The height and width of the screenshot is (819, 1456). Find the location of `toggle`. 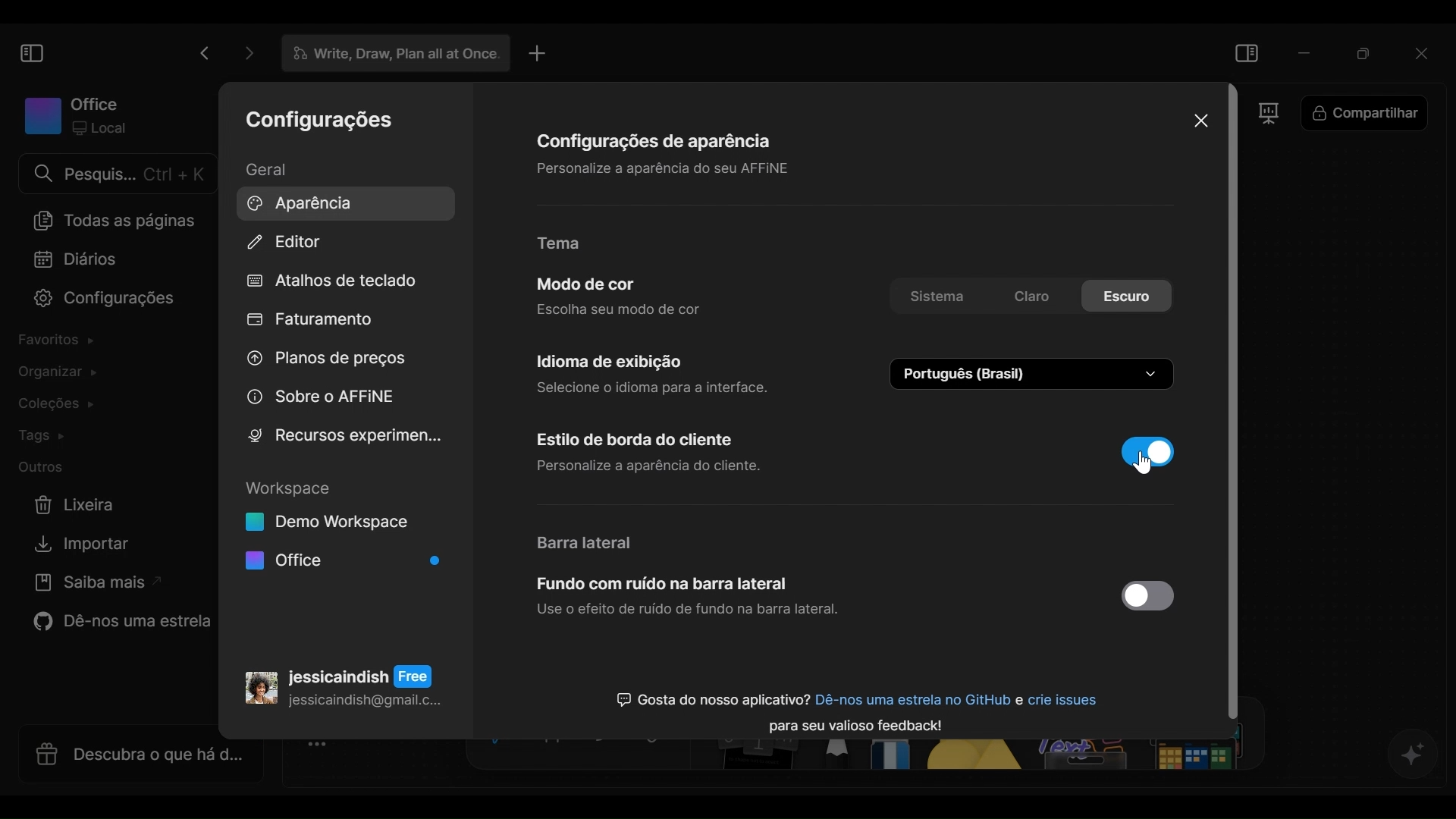

toggle is located at coordinates (1144, 597).